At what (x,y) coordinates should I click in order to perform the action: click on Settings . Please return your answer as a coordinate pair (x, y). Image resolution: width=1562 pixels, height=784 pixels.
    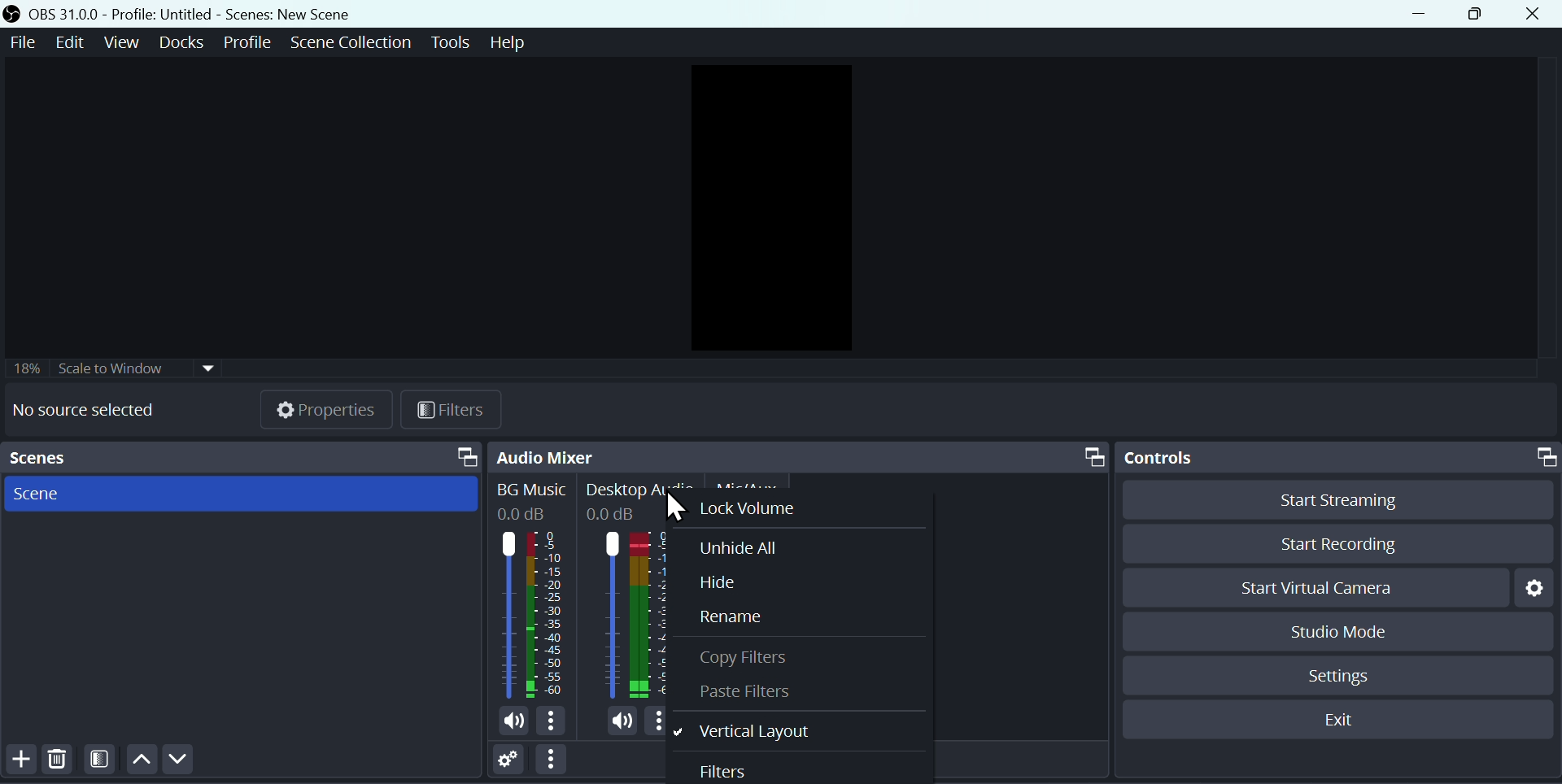
    Looking at the image, I should click on (505, 760).